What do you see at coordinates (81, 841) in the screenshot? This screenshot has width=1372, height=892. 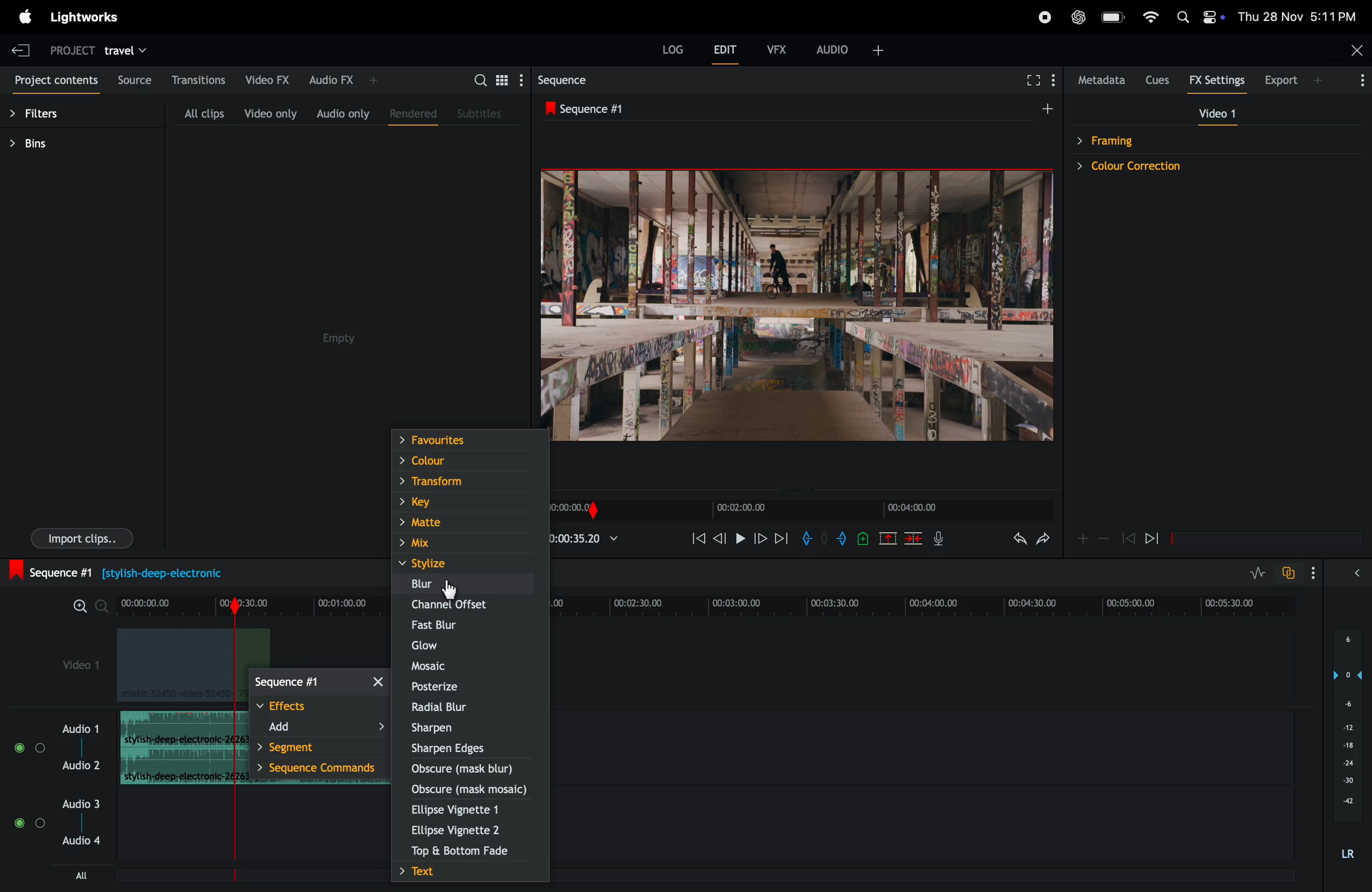 I see `Audio 4` at bounding box center [81, 841].